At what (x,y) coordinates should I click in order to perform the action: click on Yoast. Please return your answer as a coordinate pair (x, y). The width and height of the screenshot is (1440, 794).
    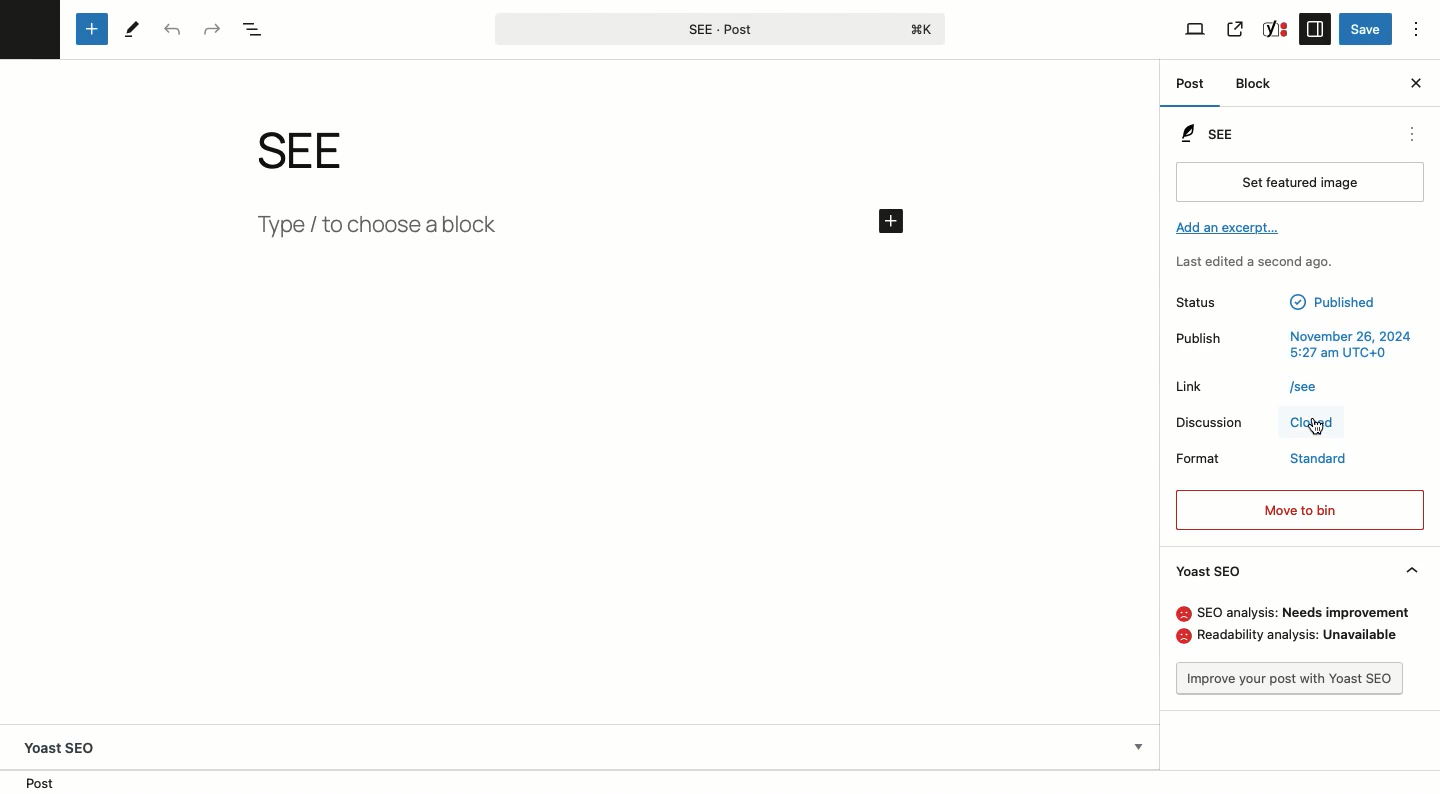
    Looking at the image, I should click on (1208, 571).